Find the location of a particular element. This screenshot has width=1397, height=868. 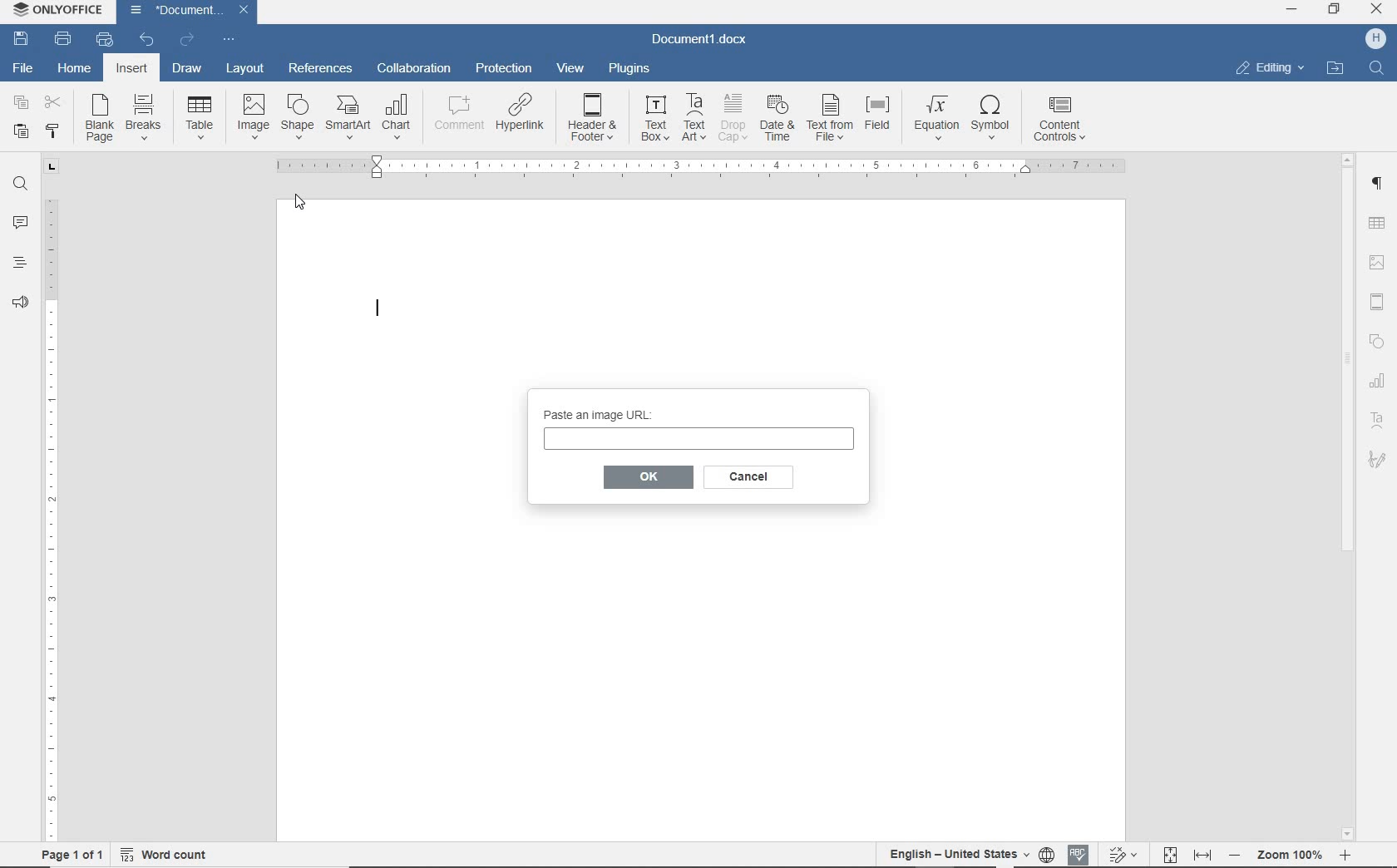

insert is located at coordinates (131, 71).